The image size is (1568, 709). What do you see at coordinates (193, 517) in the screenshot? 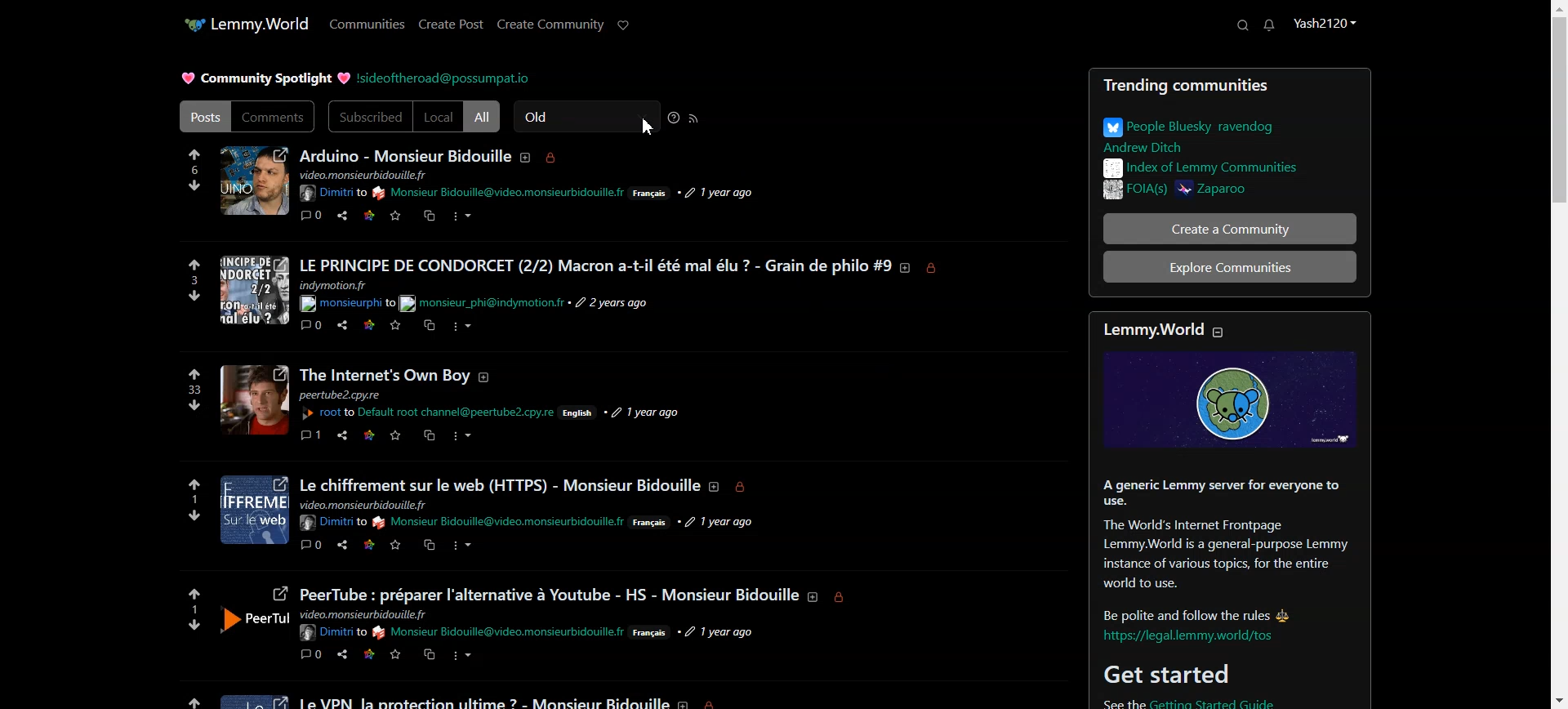
I see `downvotes` at bounding box center [193, 517].